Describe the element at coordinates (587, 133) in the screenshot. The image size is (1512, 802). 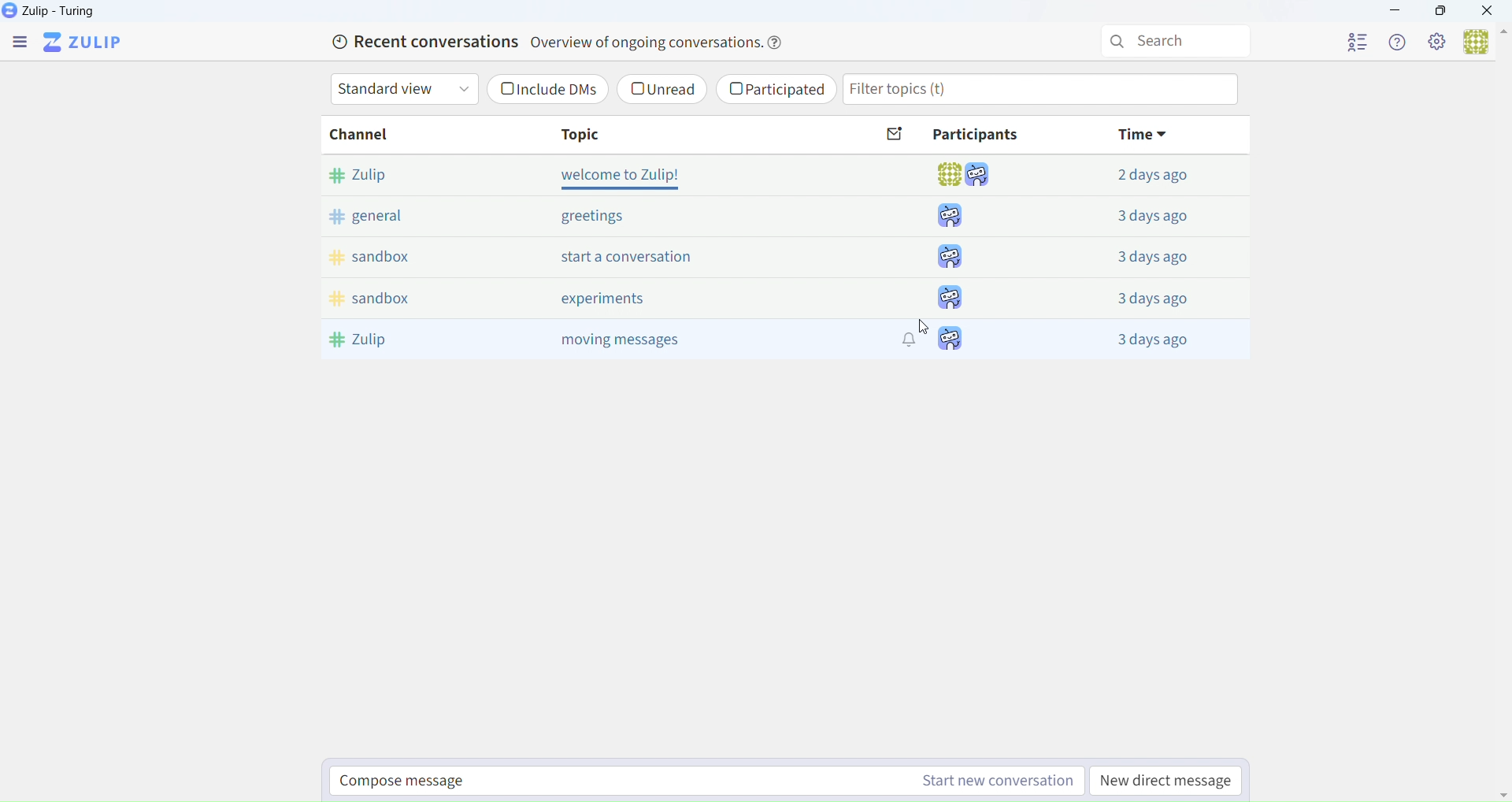
I see `Topic` at that location.